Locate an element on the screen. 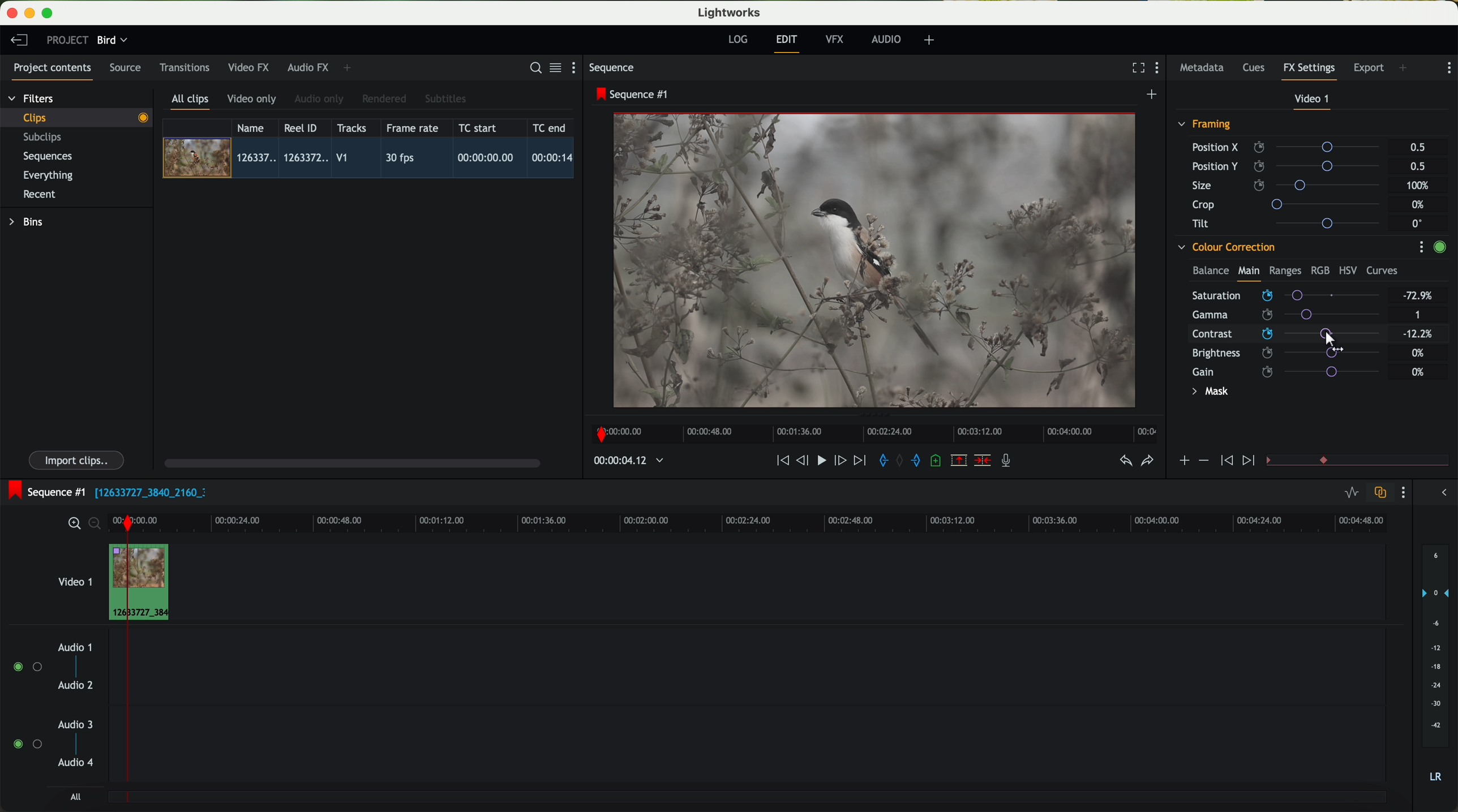 Image resolution: width=1458 pixels, height=812 pixels. video 1 is located at coordinates (74, 579).